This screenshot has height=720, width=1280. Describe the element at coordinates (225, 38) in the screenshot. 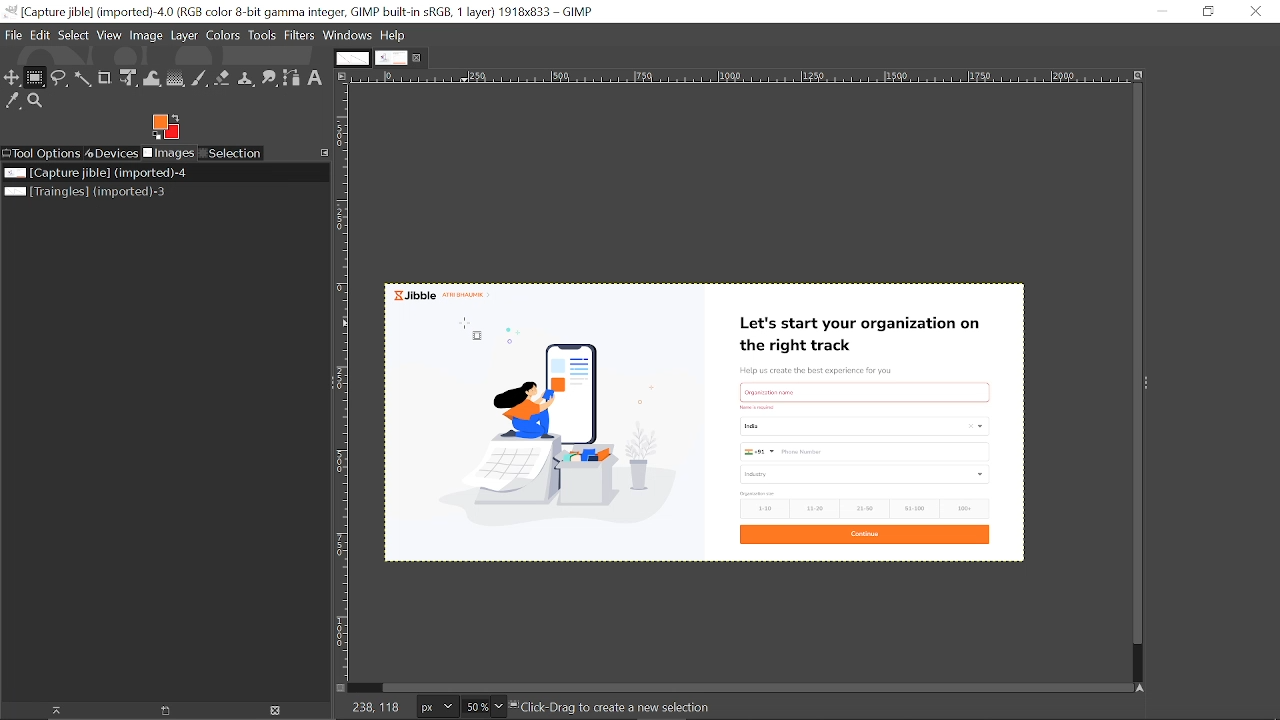

I see `Colors` at that location.